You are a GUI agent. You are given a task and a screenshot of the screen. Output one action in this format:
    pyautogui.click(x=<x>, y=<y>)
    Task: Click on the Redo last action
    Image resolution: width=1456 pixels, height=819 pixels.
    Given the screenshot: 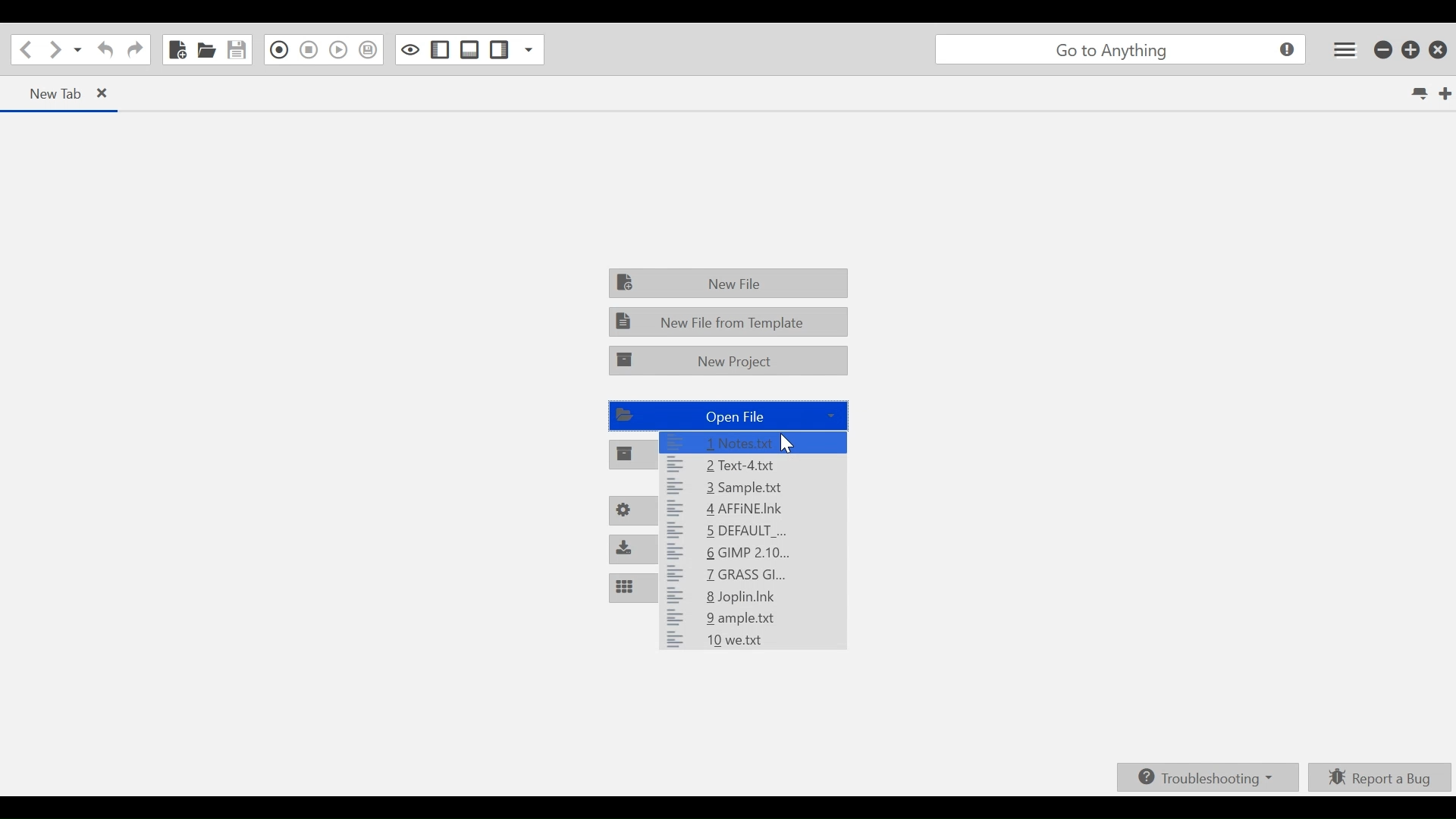 What is the action you would take?
    pyautogui.click(x=134, y=50)
    